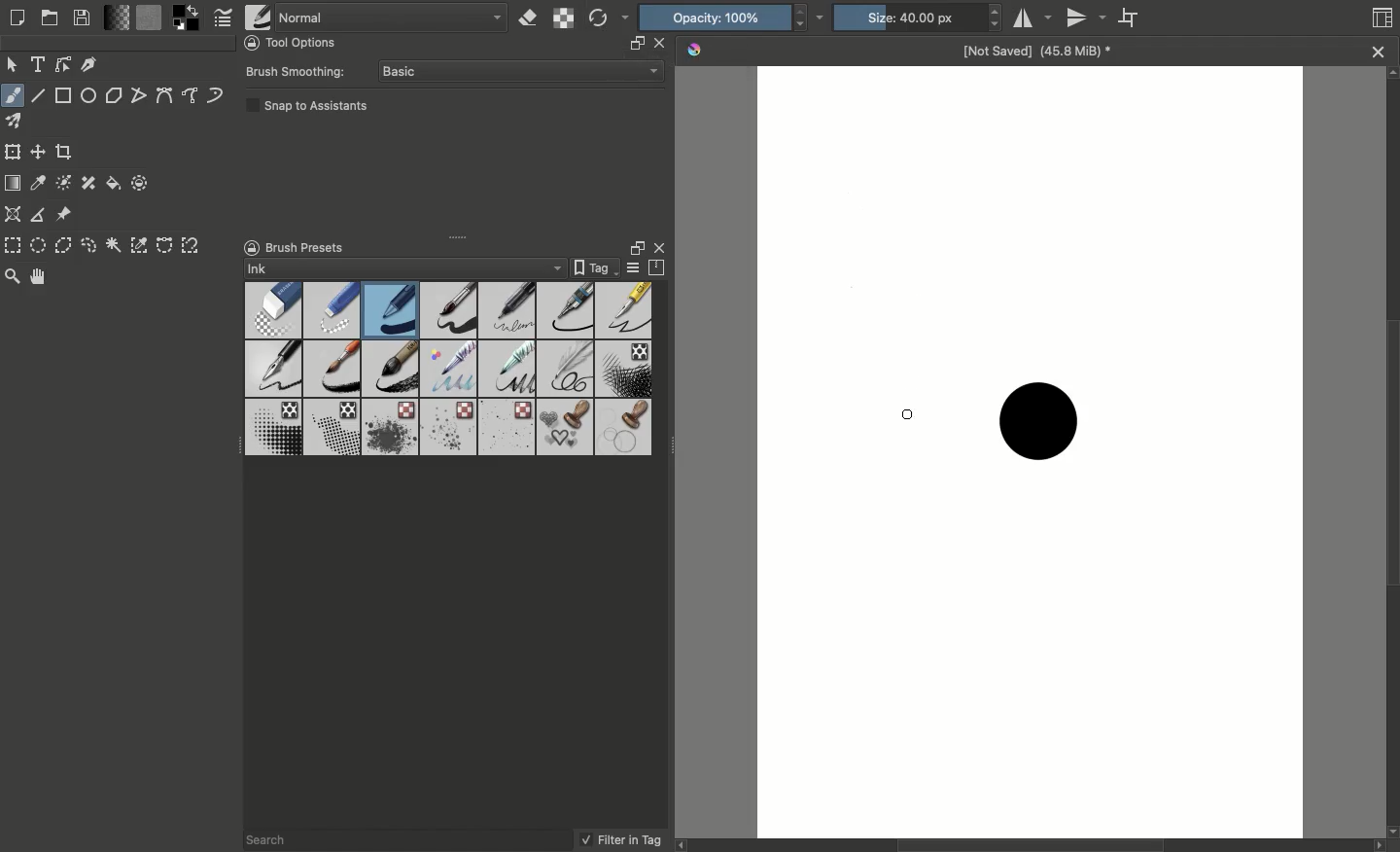  I want to click on Dynamic brush tool, so click(216, 95).